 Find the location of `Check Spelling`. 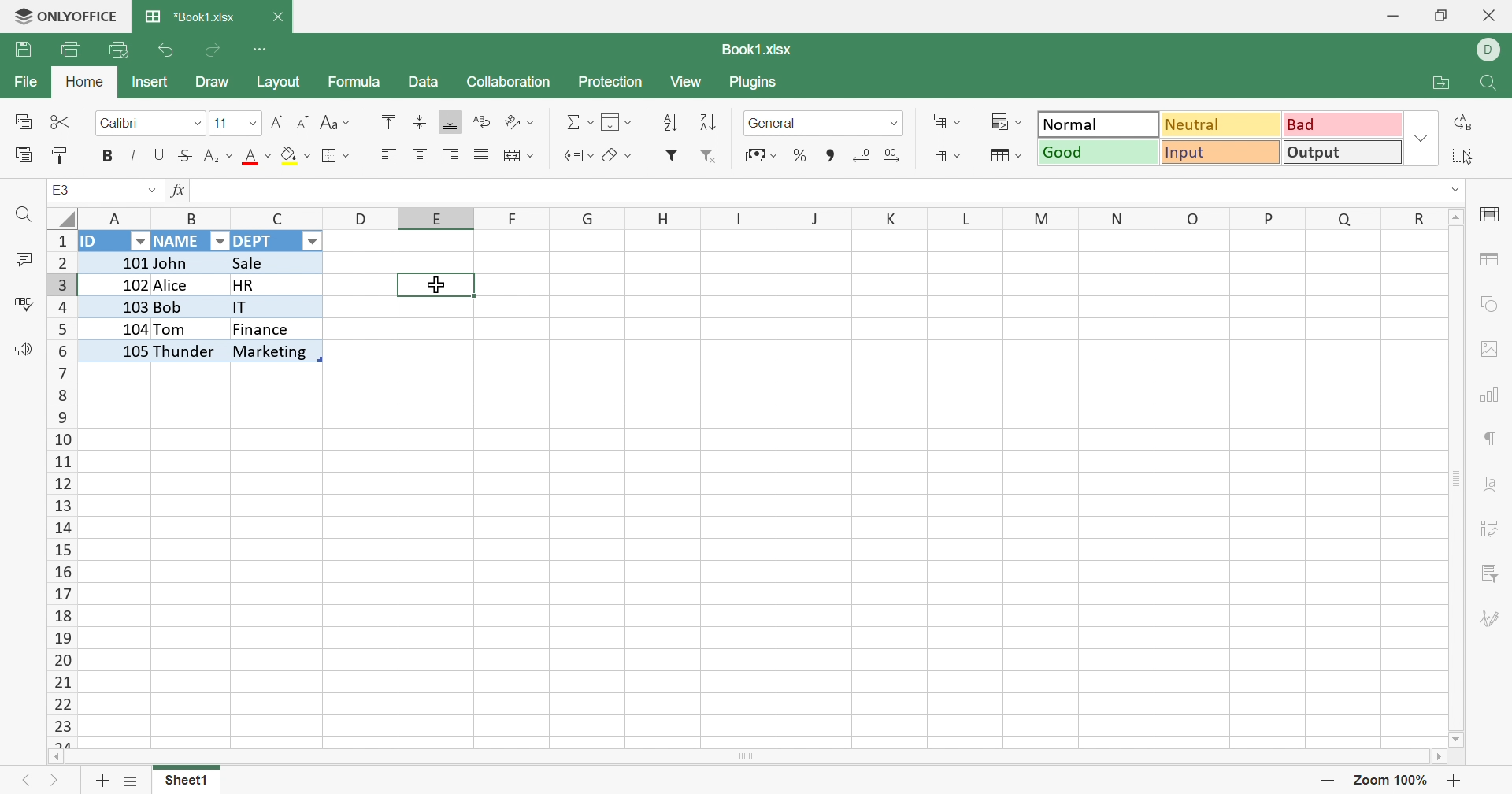

Check Spelling is located at coordinates (23, 302).